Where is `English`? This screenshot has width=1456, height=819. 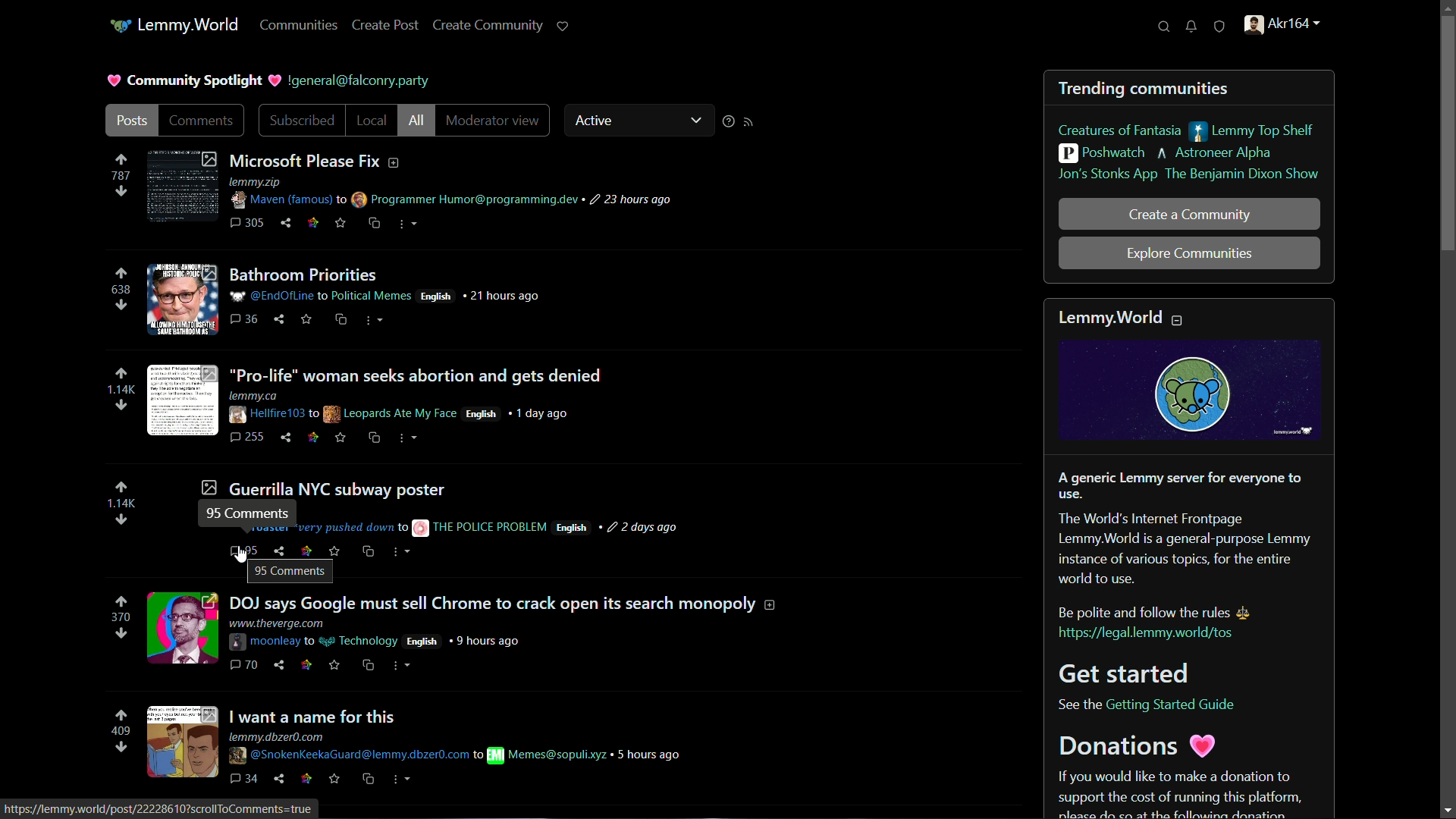
English is located at coordinates (438, 296).